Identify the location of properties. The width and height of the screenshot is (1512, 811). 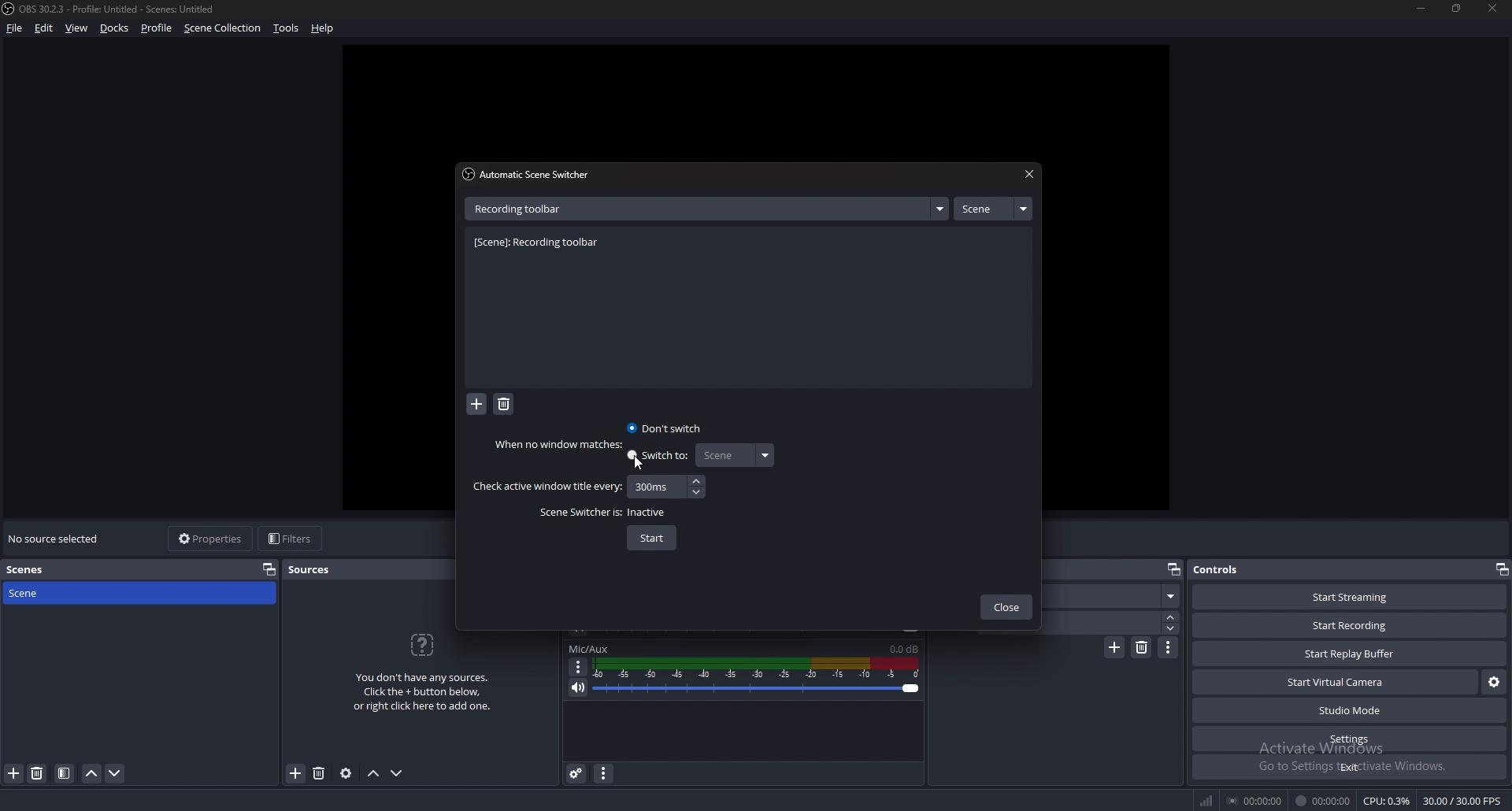
(212, 539).